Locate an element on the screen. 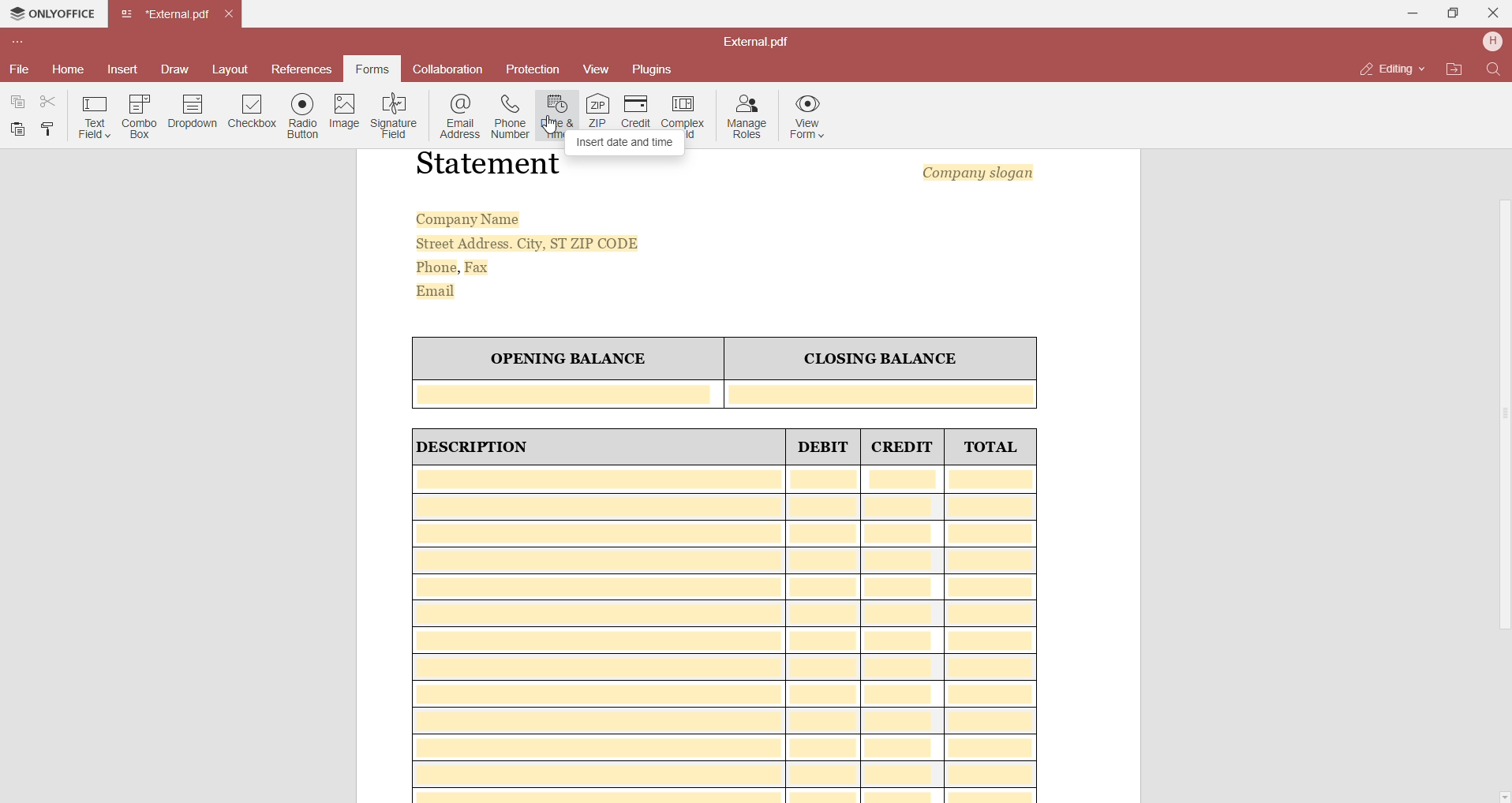 The image size is (1512, 803). Plugins is located at coordinates (658, 69).